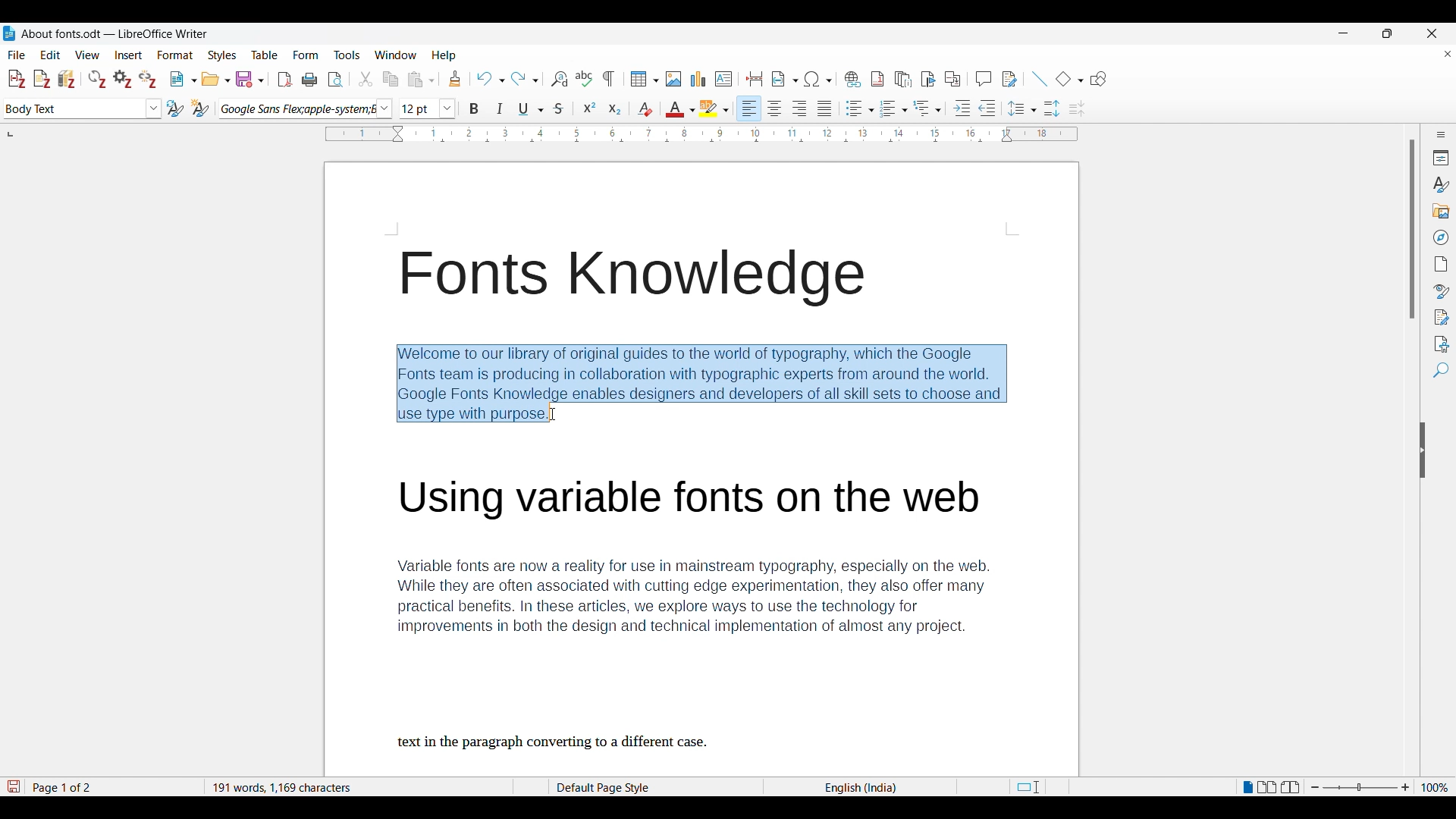  I want to click on New style from selection, so click(200, 108).